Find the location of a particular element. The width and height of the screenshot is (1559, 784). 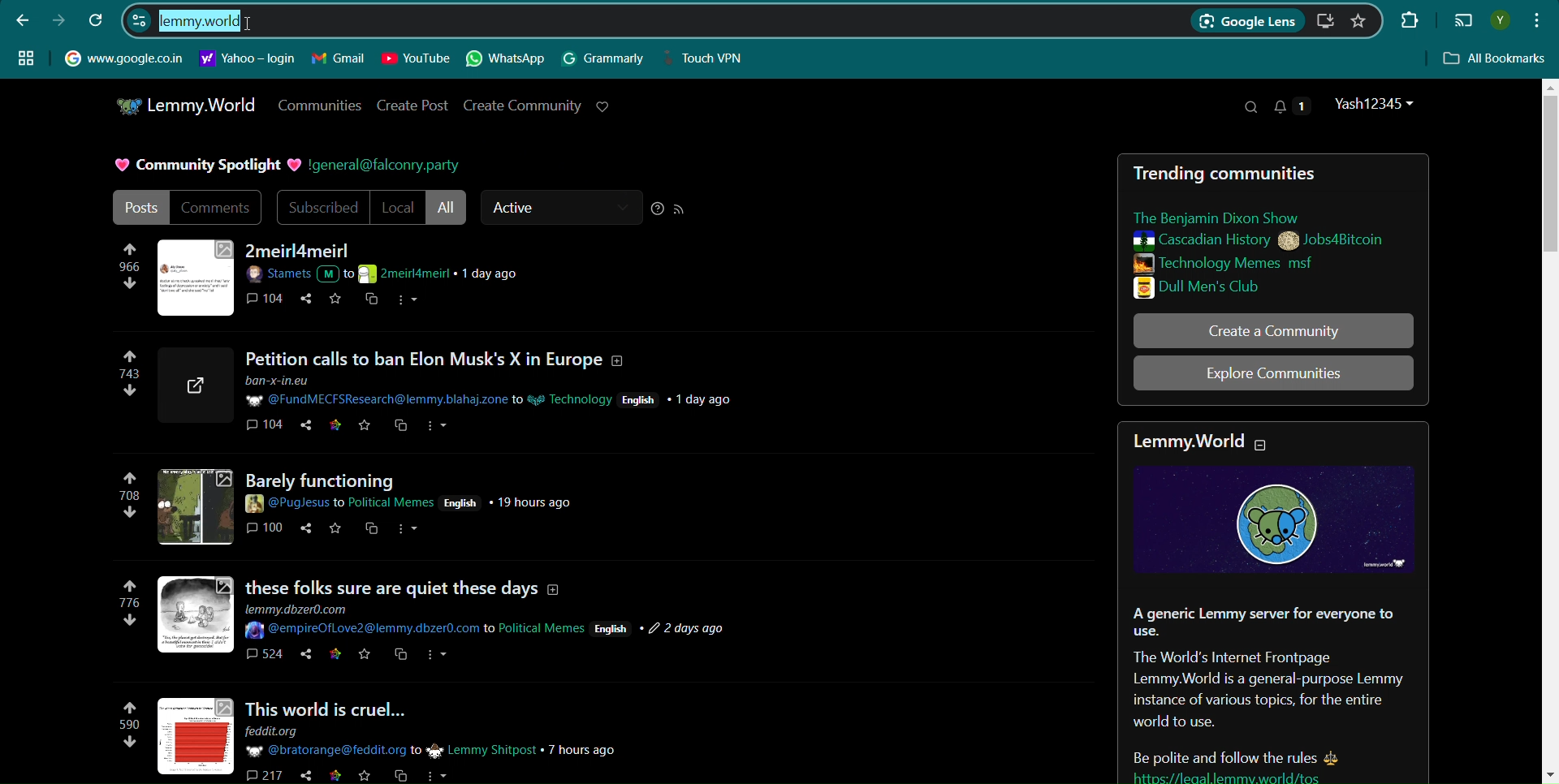

feddit.org is located at coordinates (283, 731).